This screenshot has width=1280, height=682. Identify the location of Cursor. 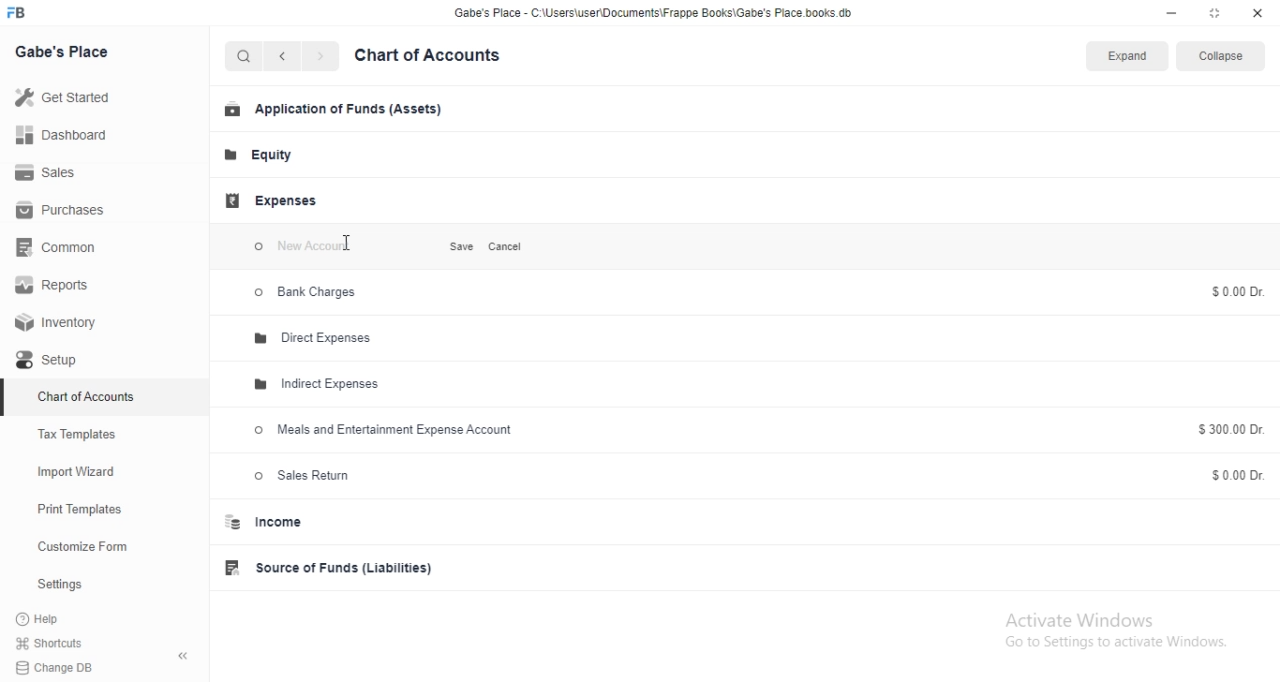
(362, 248).